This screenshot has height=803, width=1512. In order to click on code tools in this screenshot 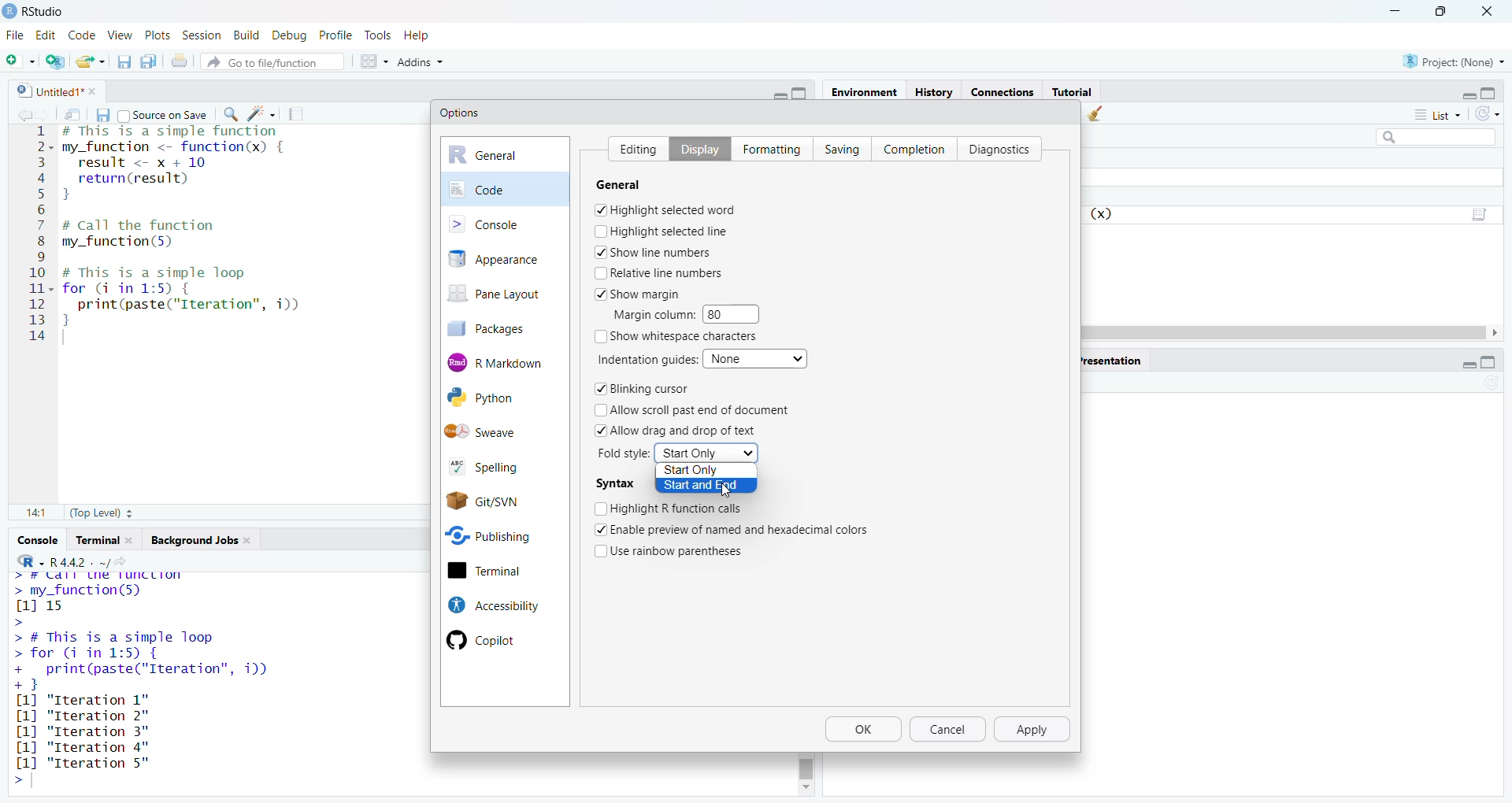, I will do `click(262, 113)`.